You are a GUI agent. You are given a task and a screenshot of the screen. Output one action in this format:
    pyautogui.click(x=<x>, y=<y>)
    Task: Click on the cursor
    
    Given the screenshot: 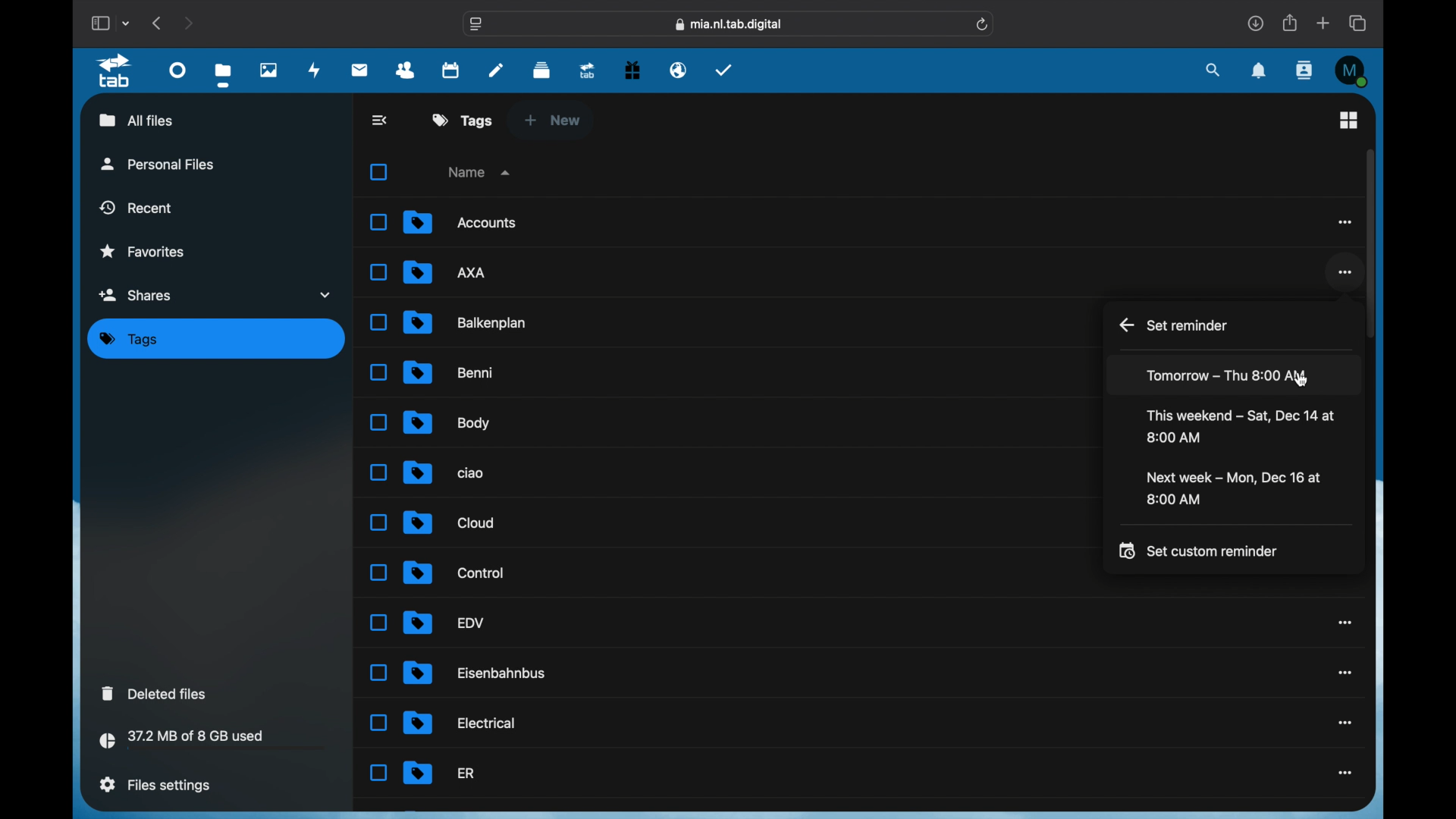 What is the action you would take?
    pyautogui.click(x=1301, y=378)
    